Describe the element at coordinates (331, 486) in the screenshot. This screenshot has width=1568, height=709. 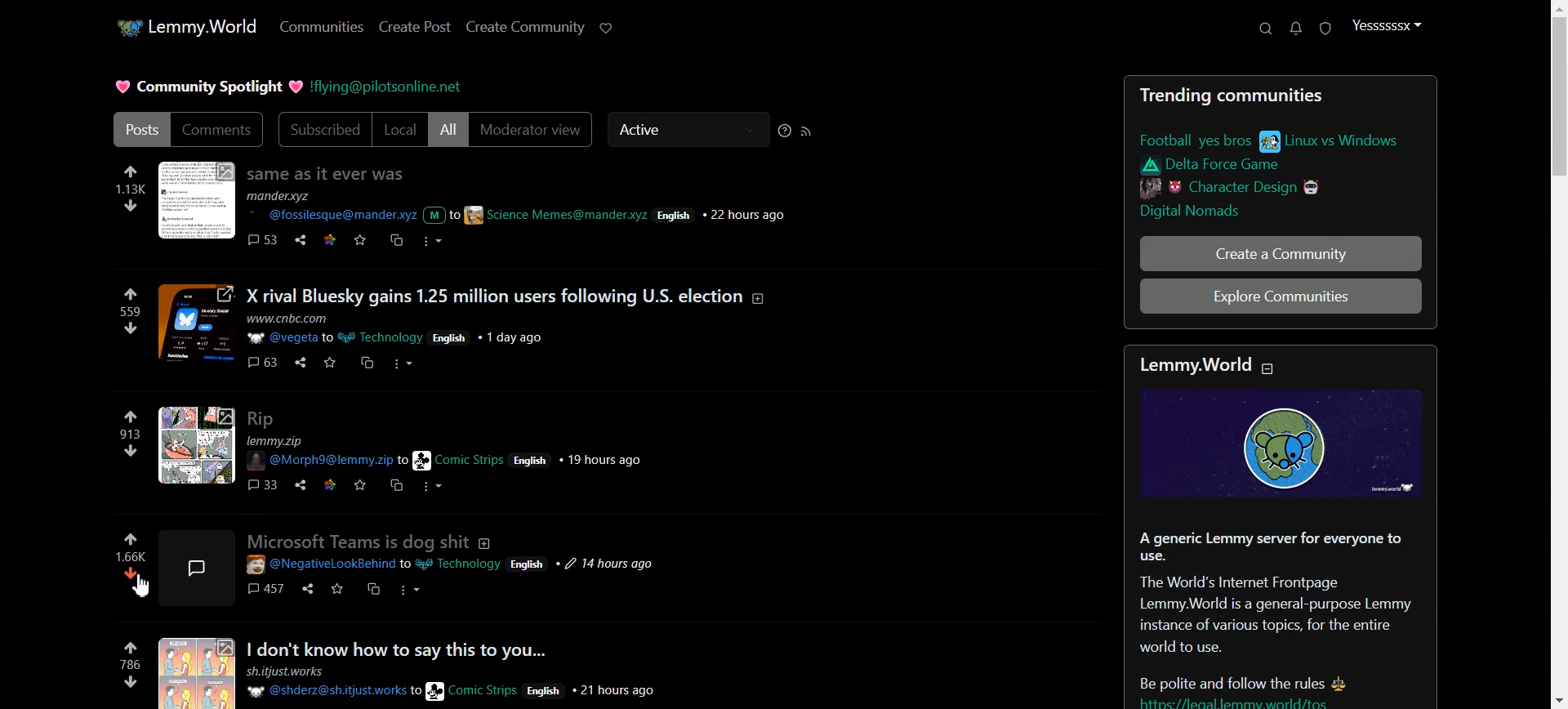
I see `link` at that location.